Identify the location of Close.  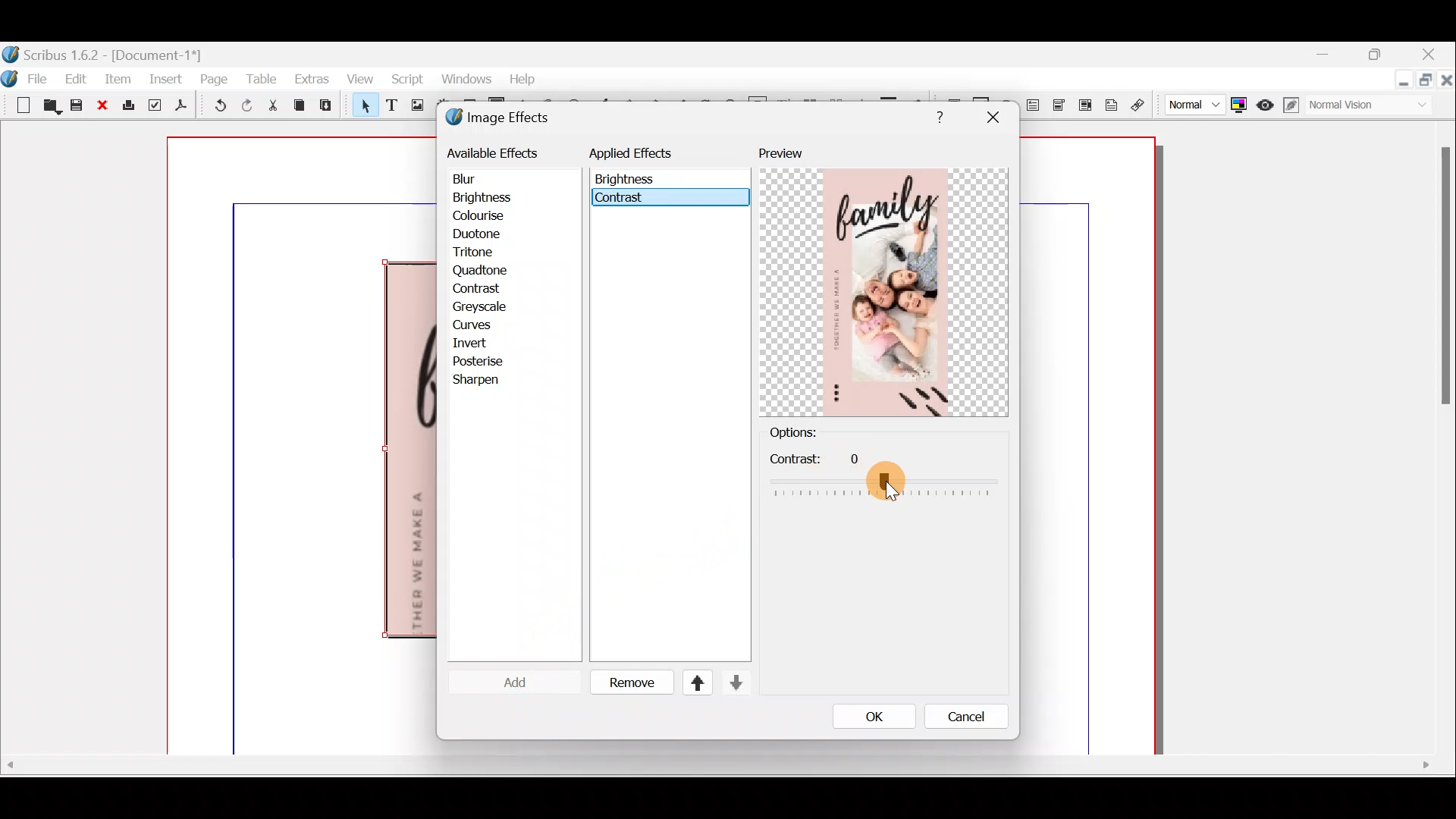
(101, 106).